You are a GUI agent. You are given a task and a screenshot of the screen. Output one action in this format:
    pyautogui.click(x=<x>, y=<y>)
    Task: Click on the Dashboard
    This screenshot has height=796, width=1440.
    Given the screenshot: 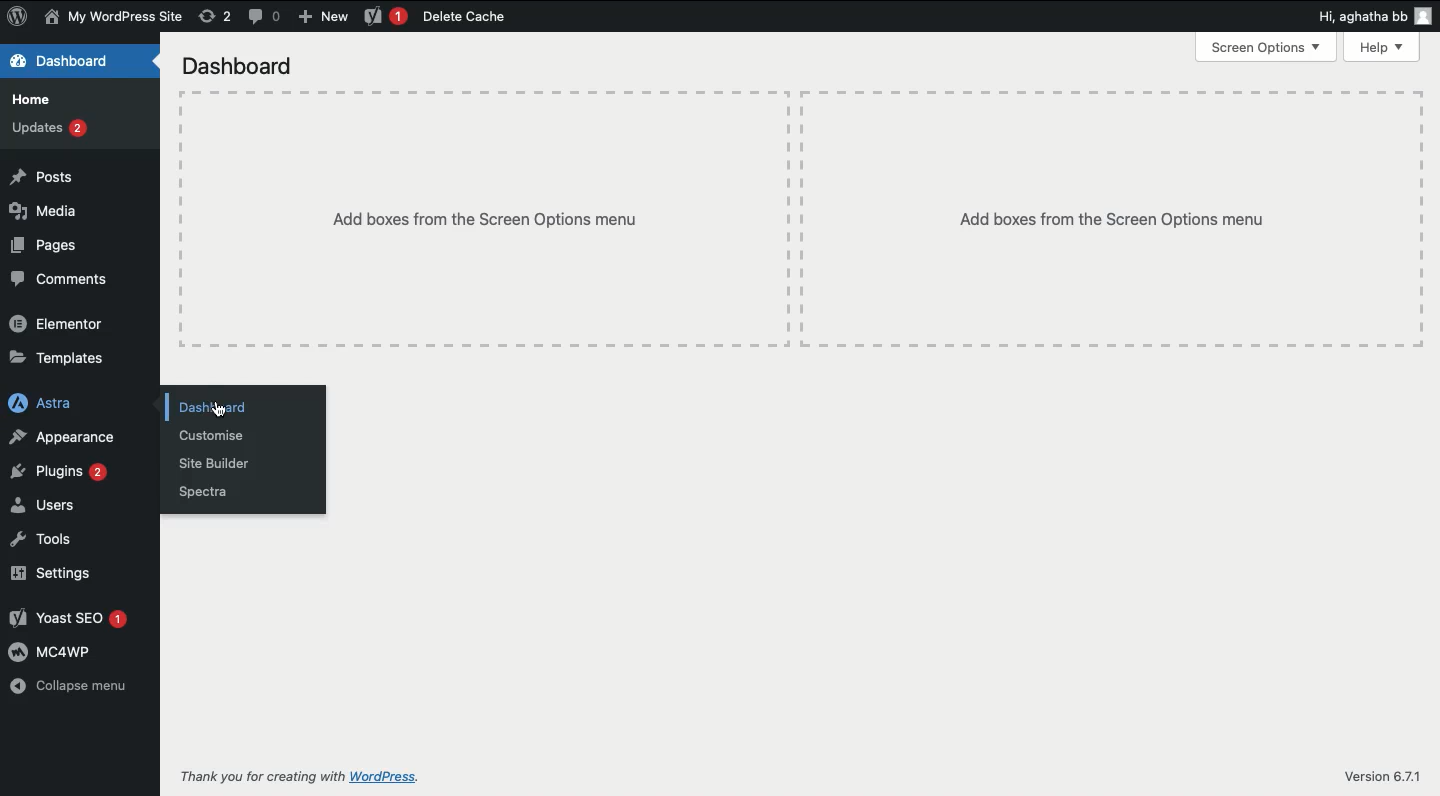 What is the action you would take?
    pyautogui.click(x=247, y=68)
    